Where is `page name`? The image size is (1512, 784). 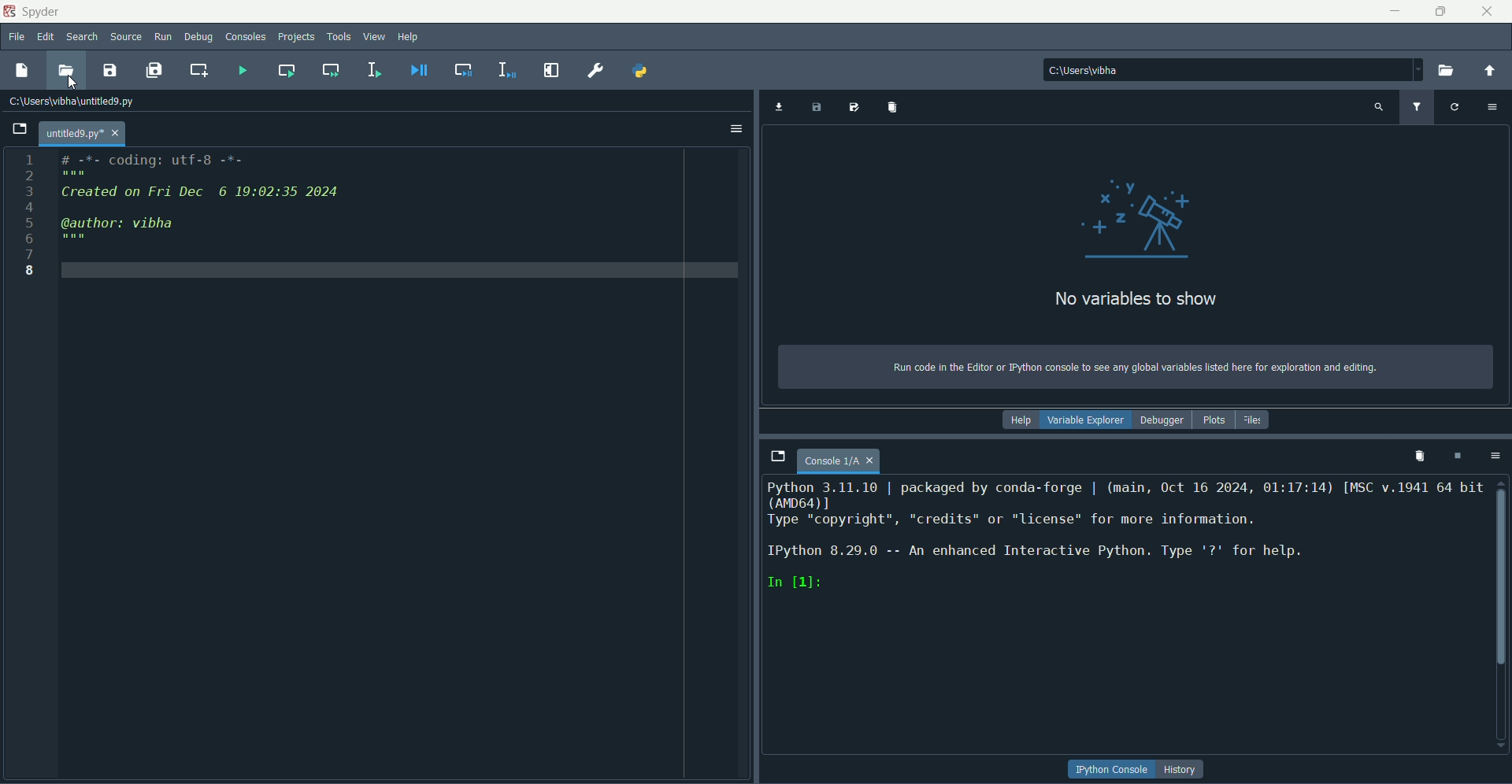 page name is located at coordinates (842, 461).